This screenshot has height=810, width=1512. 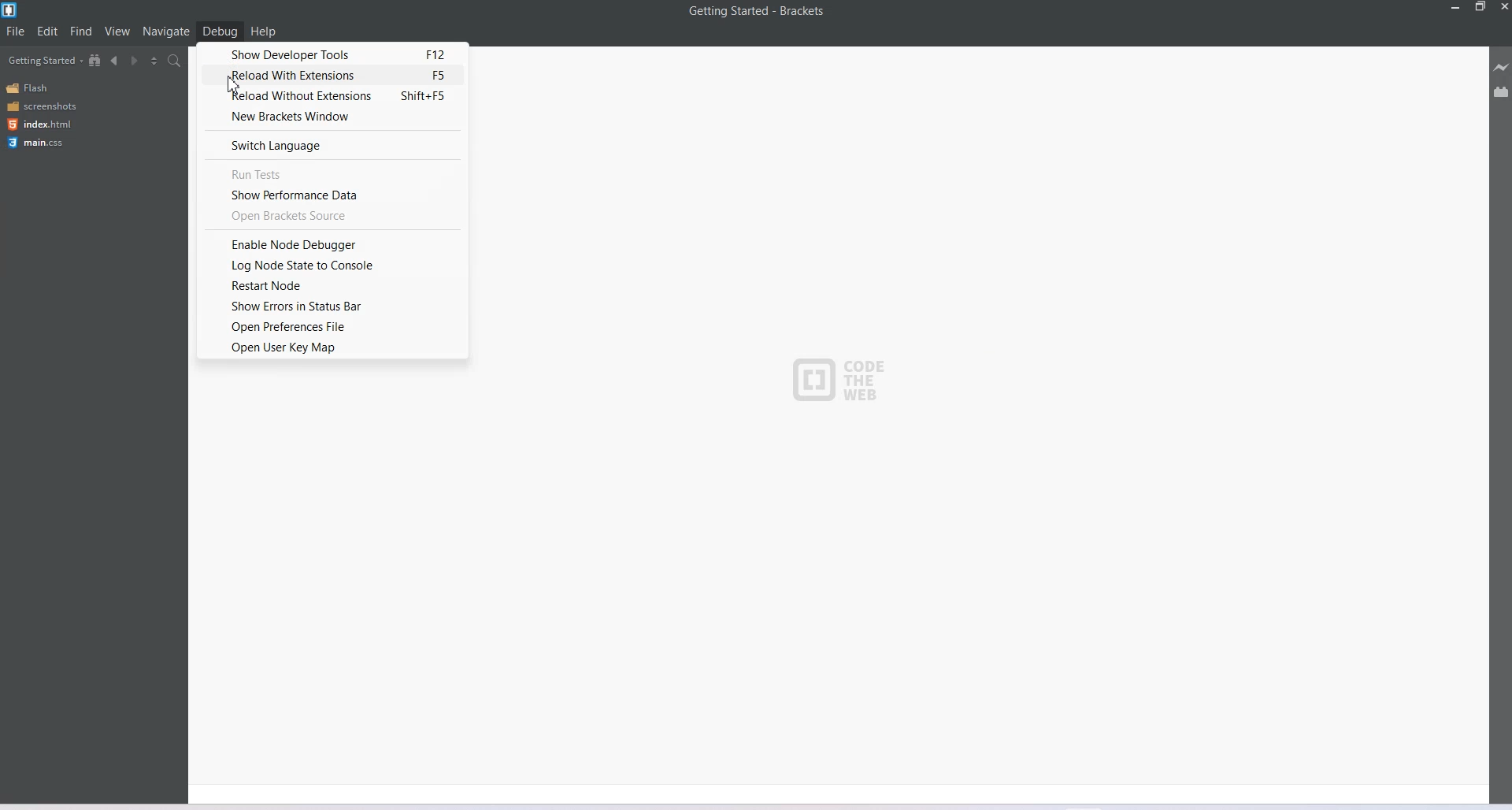 I want to click on shower Errors in status bar, so click(x=330, y=305).